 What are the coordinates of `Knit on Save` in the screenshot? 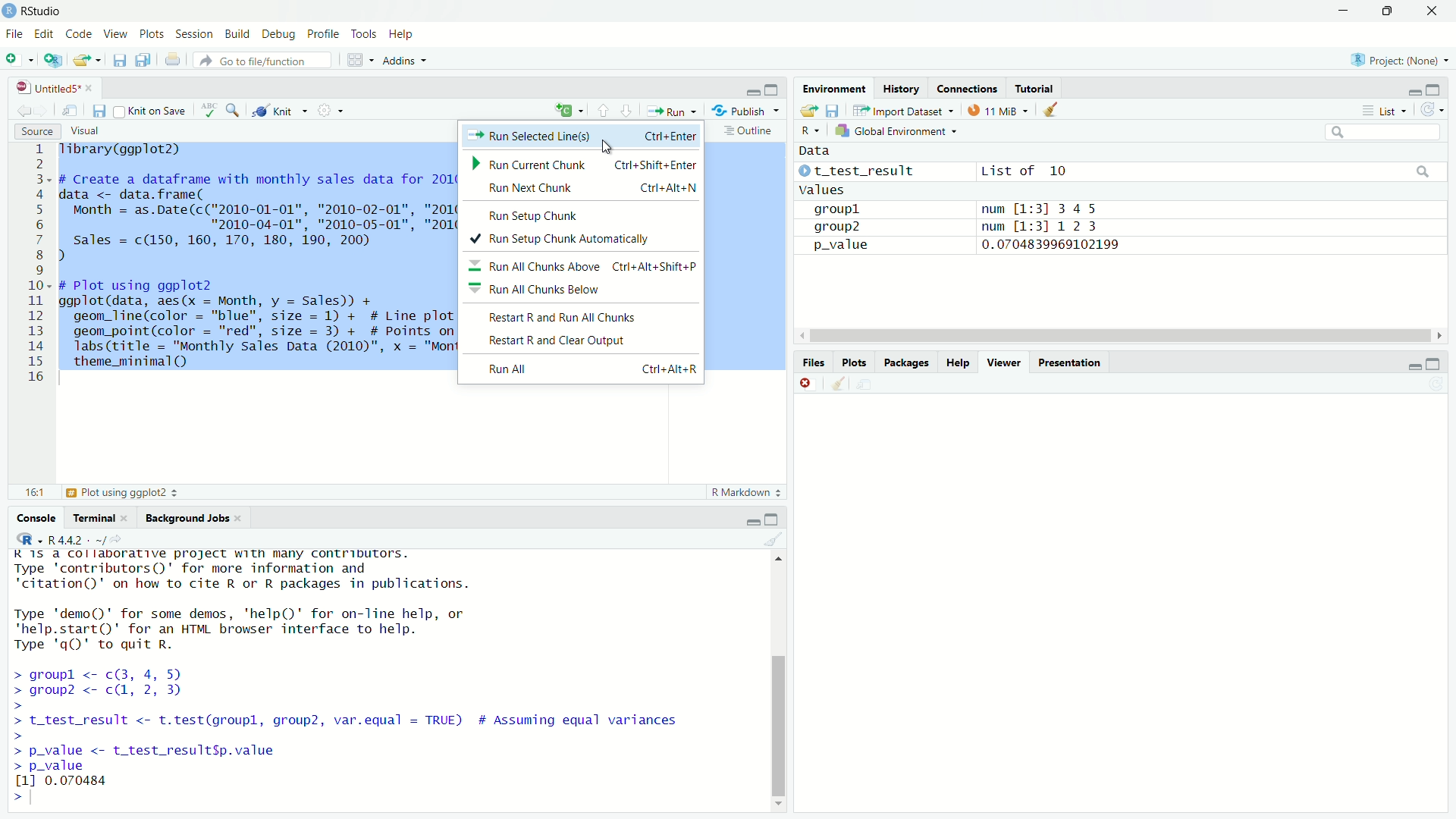 It's located at (152, 110).